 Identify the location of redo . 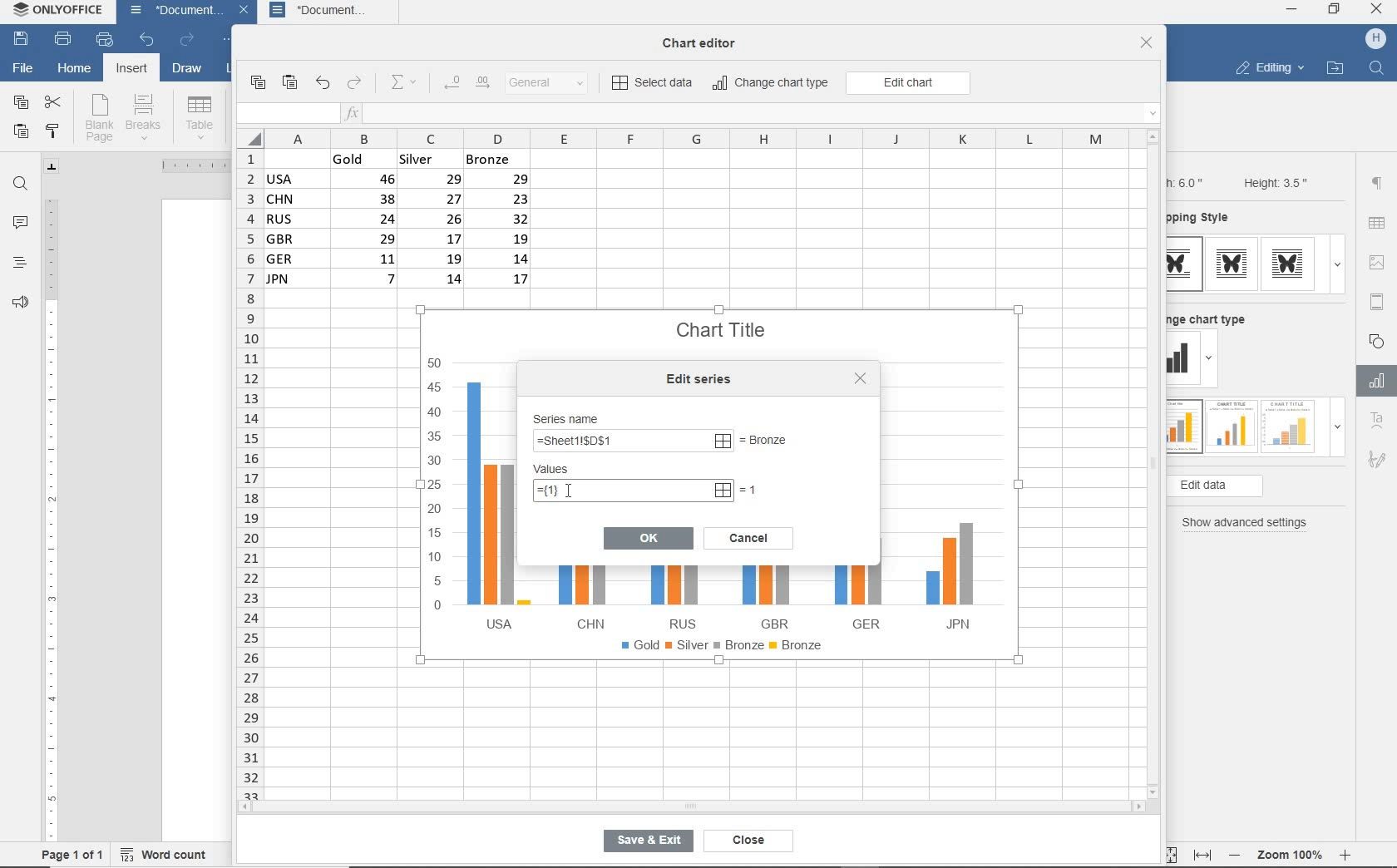
(355, 84).